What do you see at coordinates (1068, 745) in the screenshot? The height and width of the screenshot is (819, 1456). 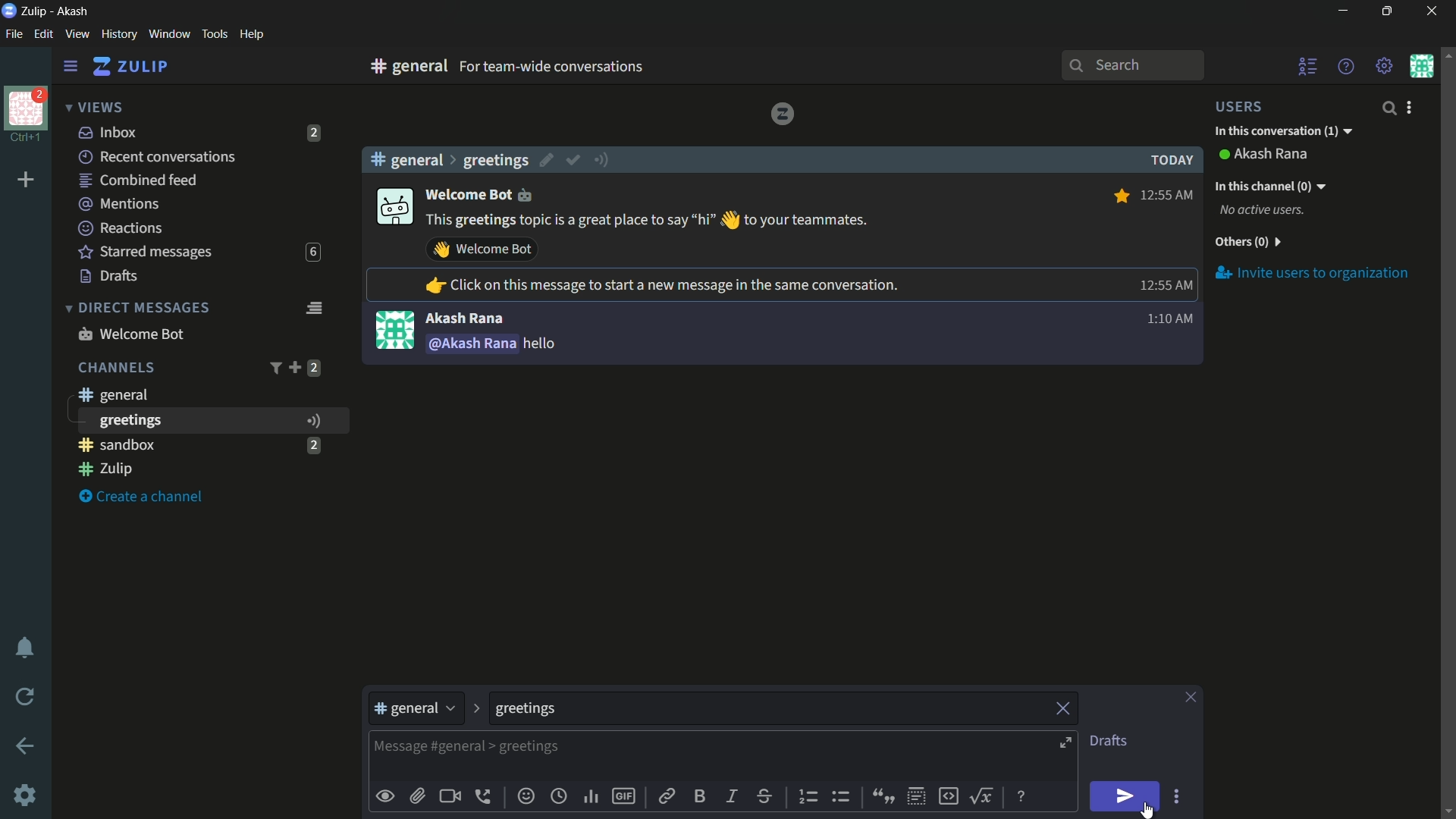 I see `expand` at bounding box center [1068, 745].